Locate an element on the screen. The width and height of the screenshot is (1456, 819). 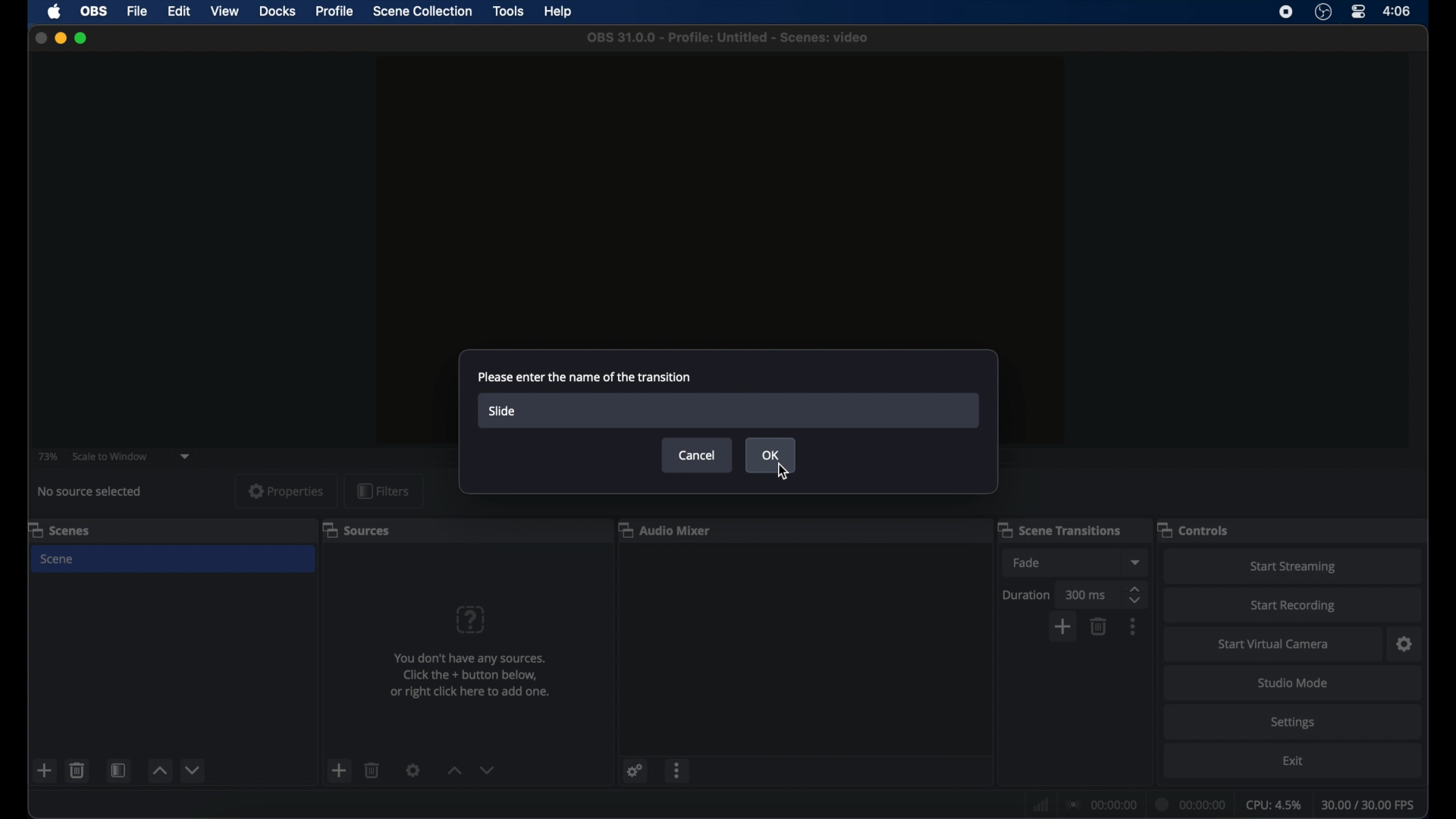
docks is located at coordinates (278, 11).